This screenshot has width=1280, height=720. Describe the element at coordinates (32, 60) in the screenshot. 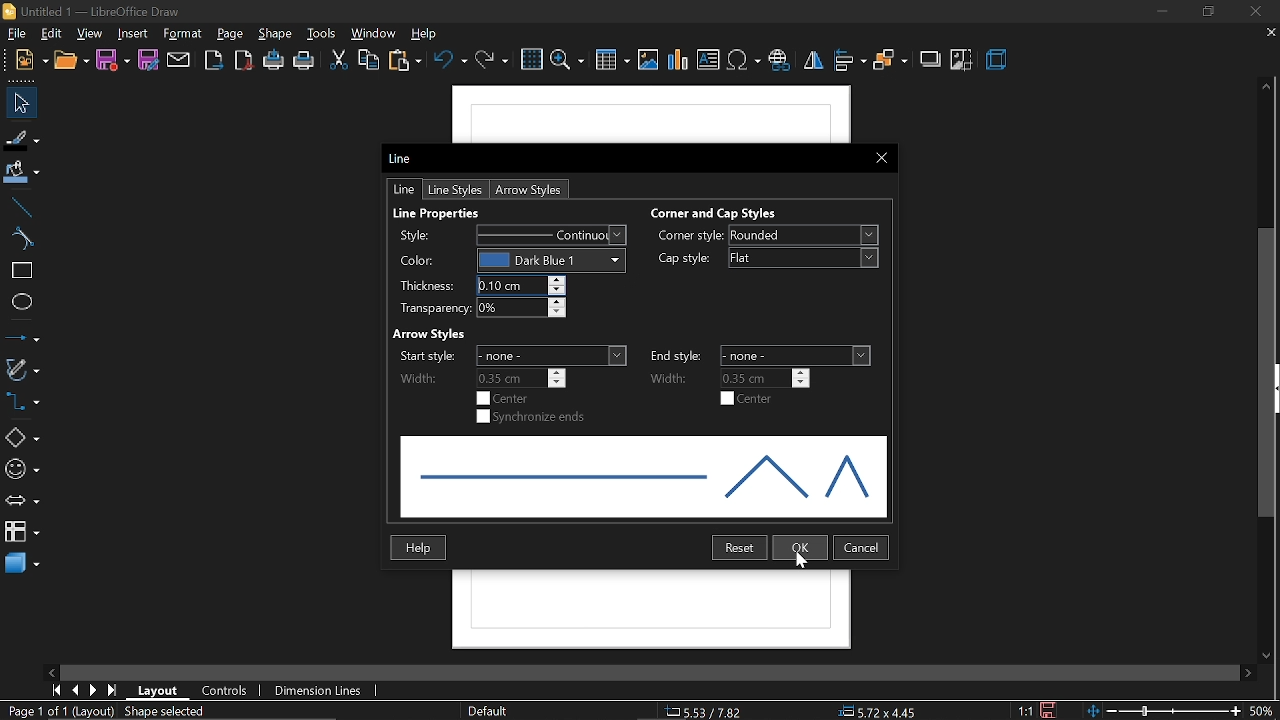

I see `file` at that location.